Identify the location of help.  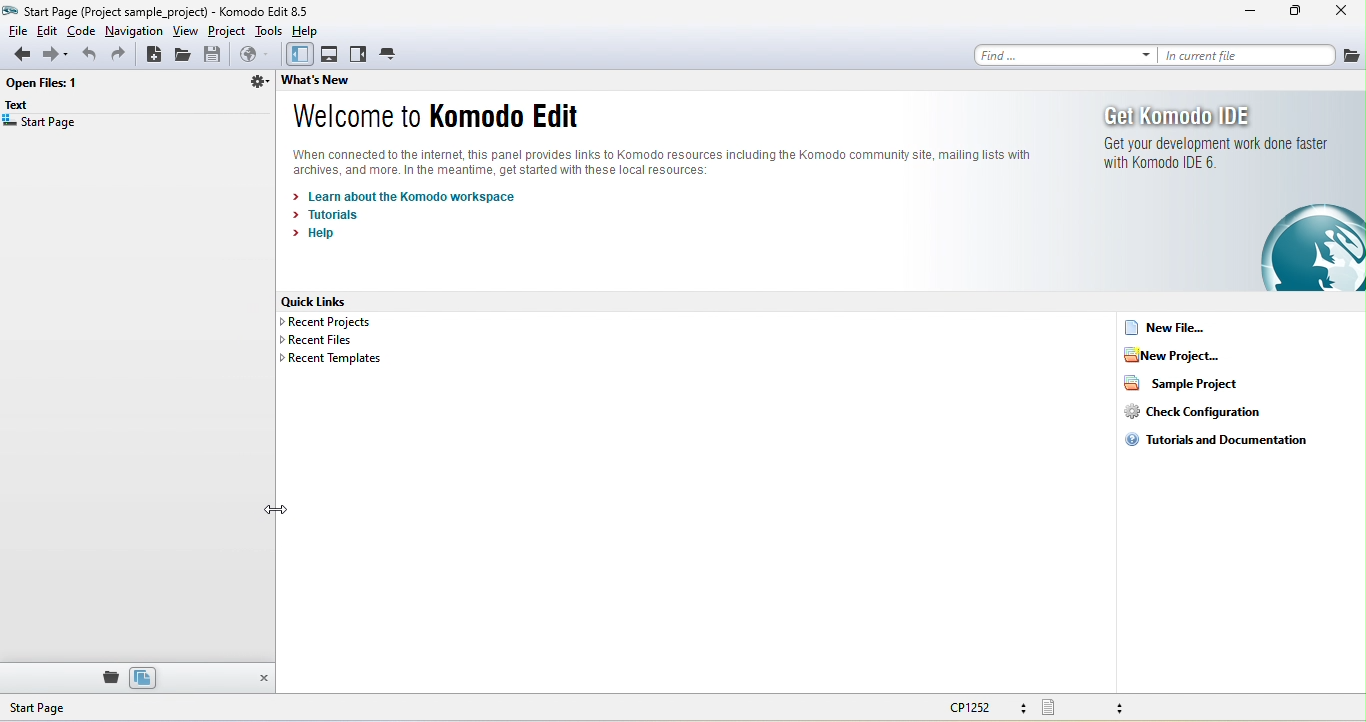
(310, 30).